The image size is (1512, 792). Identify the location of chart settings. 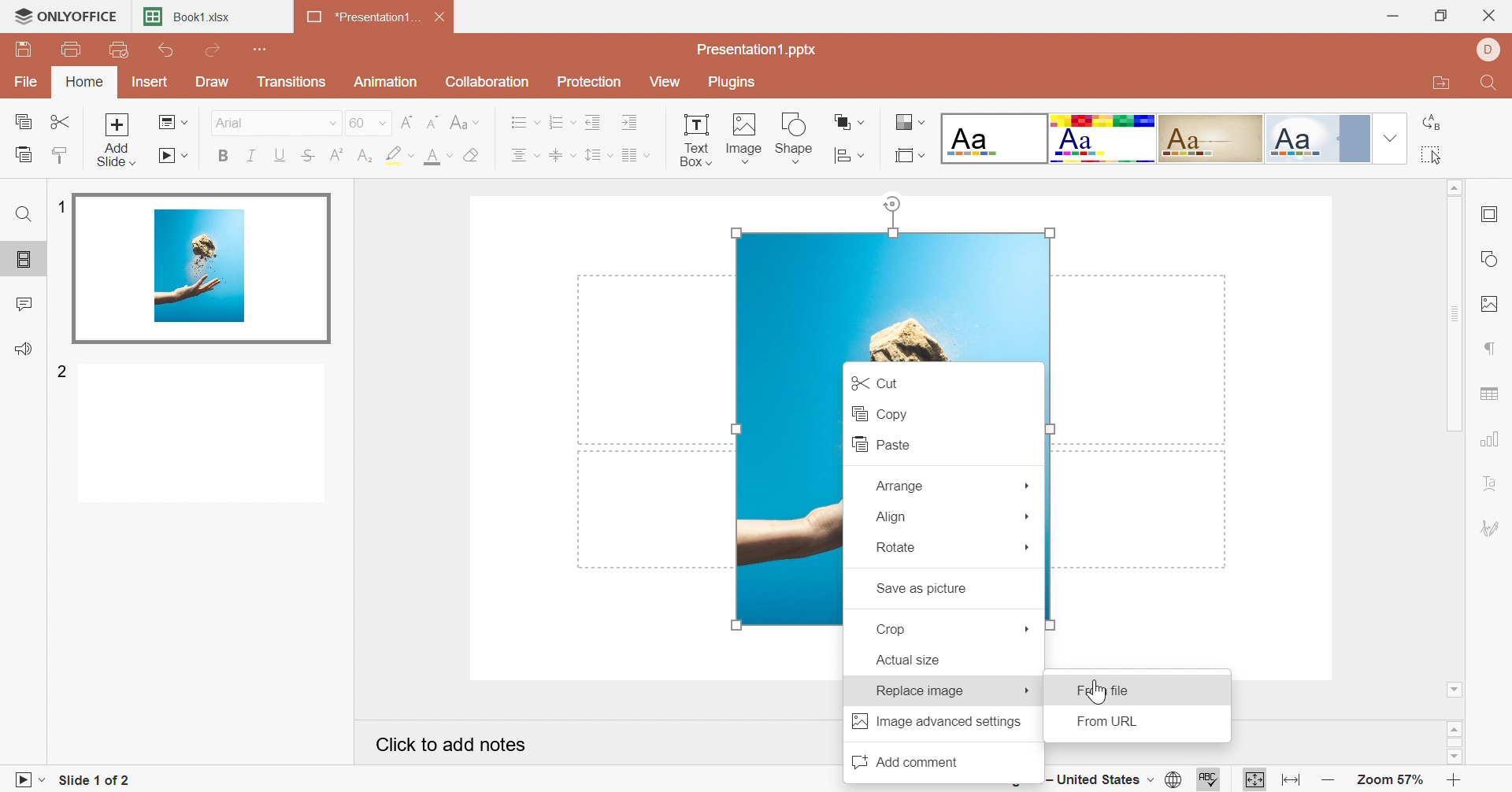
(1493, 437).